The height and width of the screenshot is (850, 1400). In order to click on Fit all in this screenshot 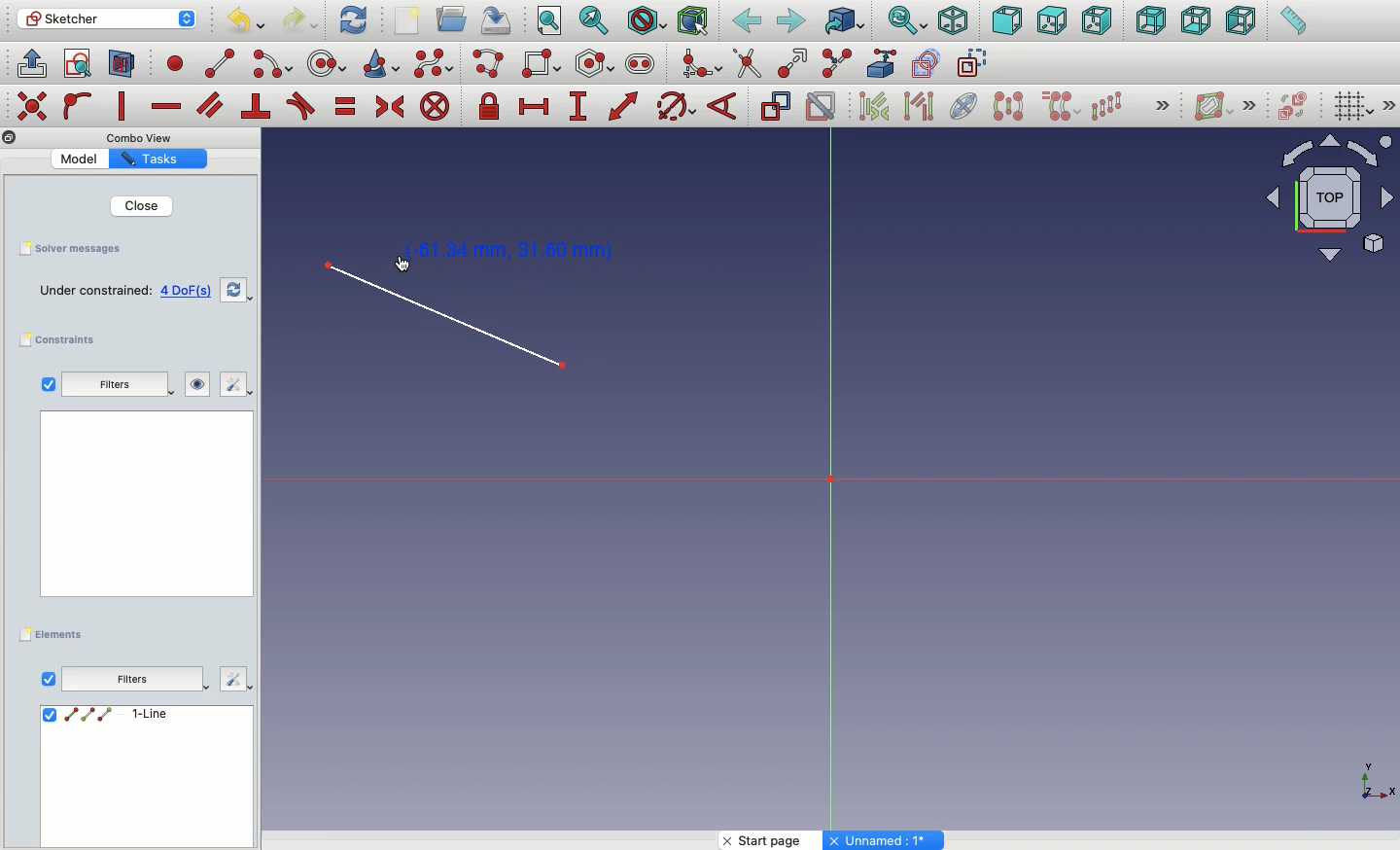, I will do `click(551, 21)`.